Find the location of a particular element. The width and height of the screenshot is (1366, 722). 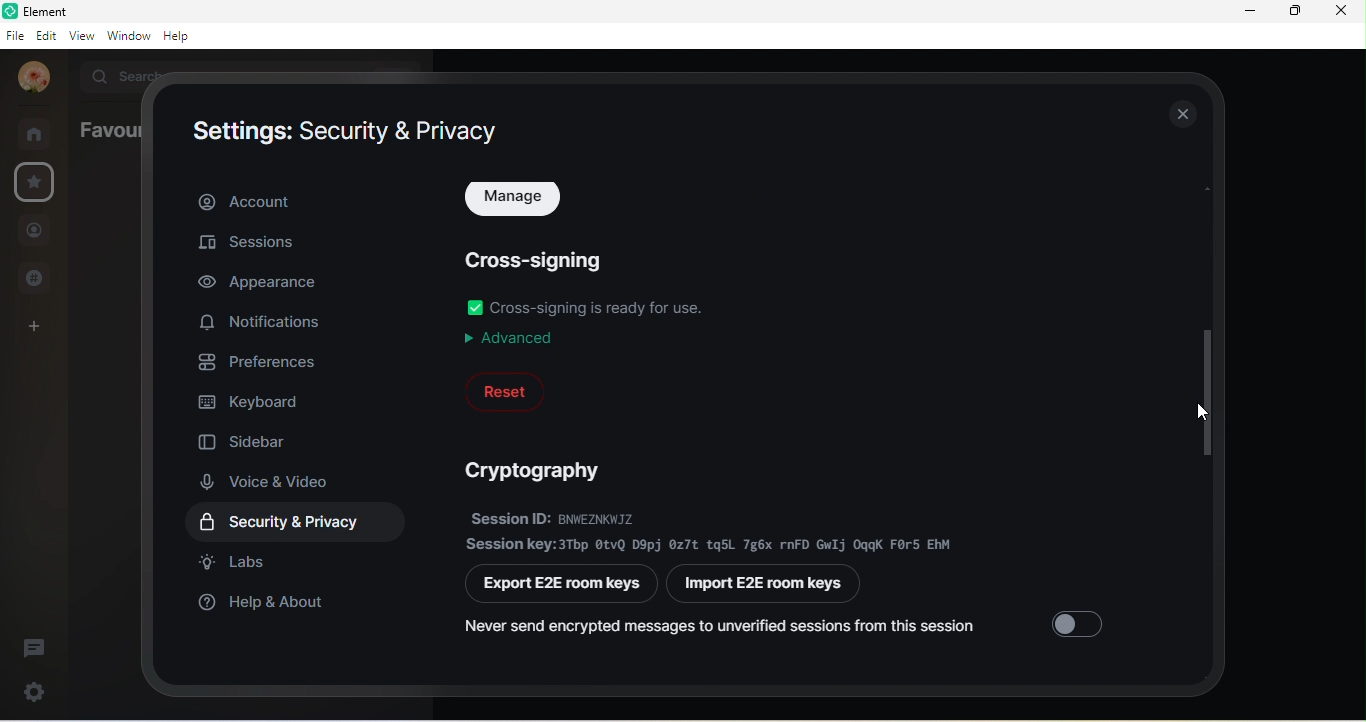

reset is located at coordinates (505, 391).